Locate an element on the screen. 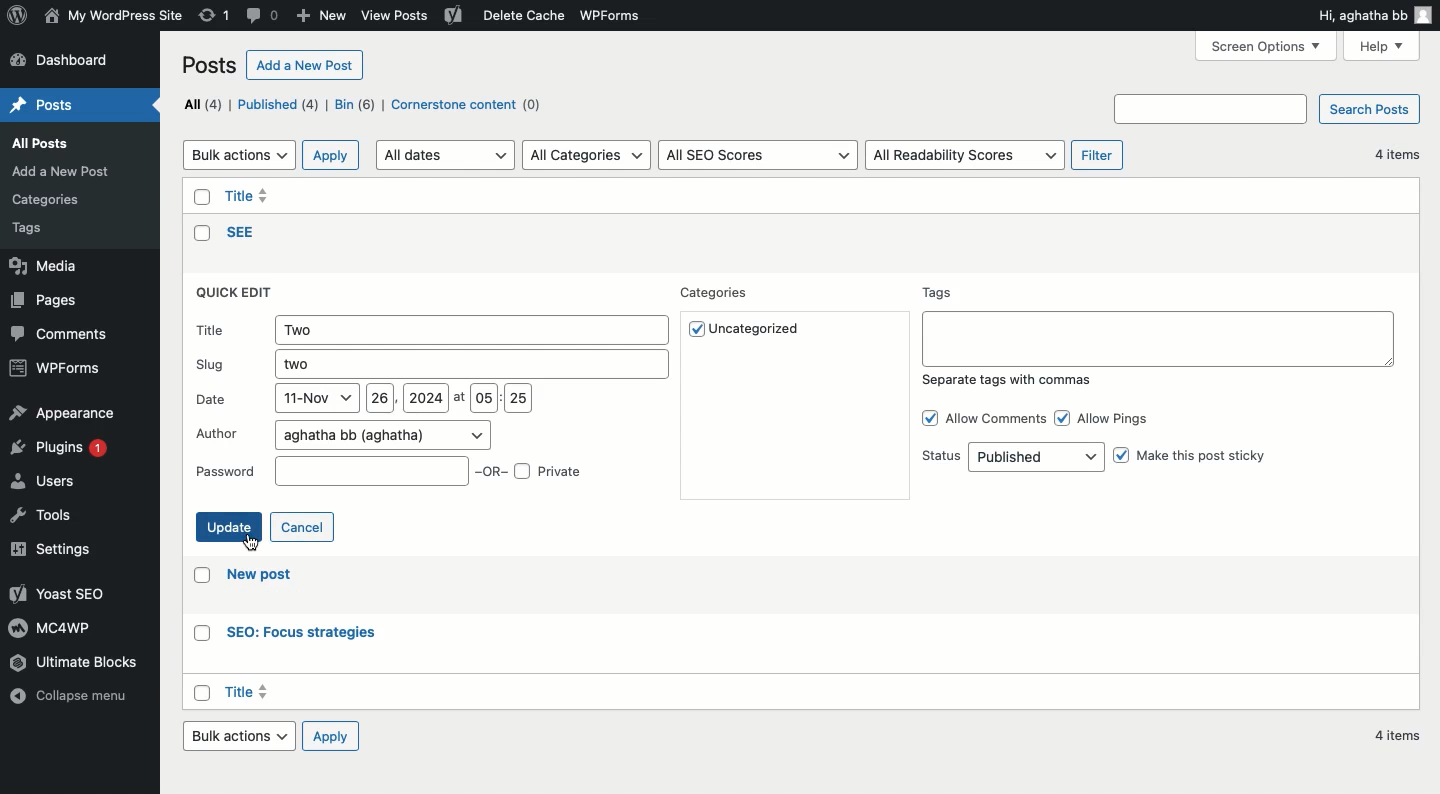 Image resolution: width=1440 pixels, height=794 pixels. All posts is located at coordinates (56, 145).